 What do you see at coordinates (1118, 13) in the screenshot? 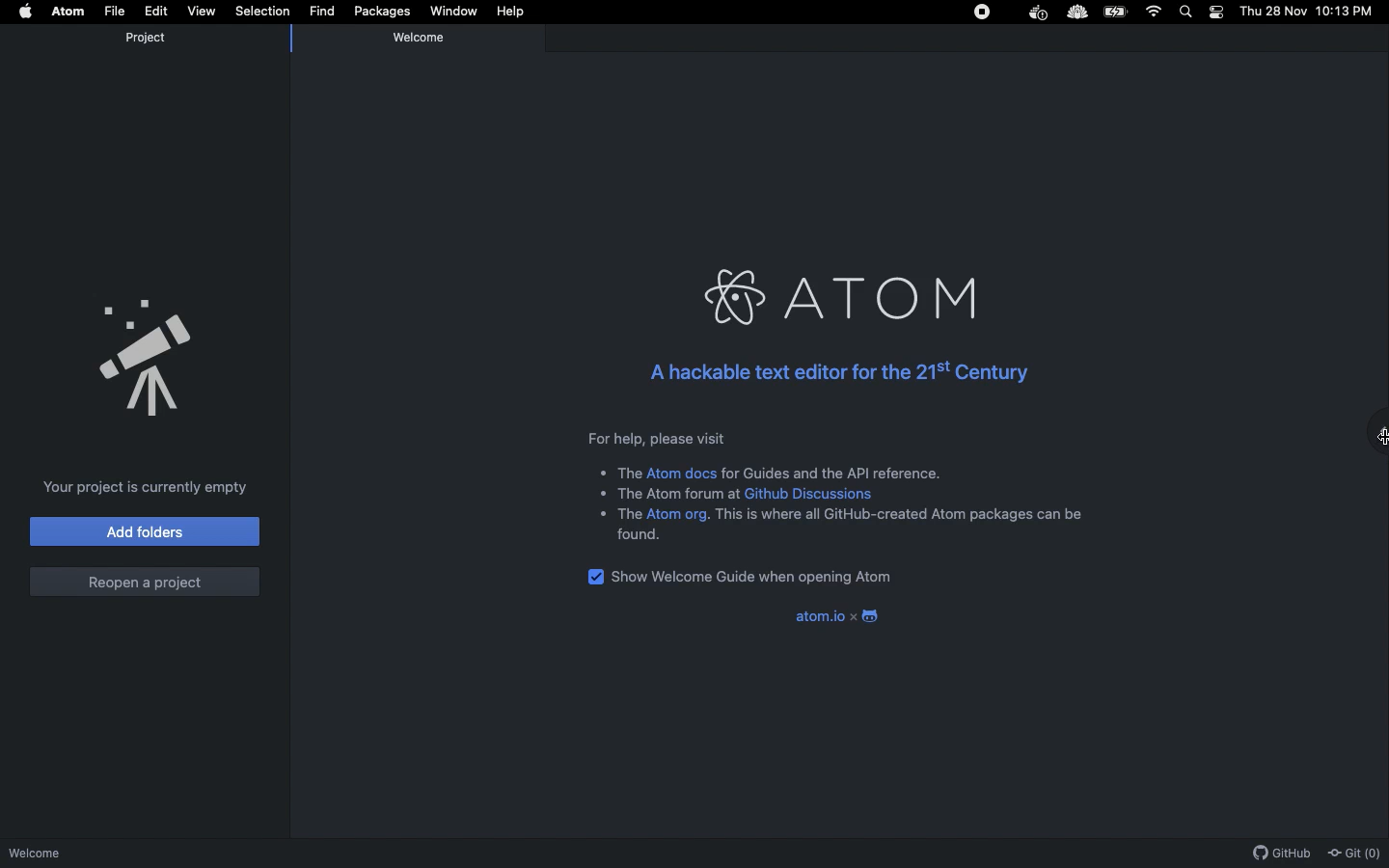
I see `Battery` at bounding box center [1118, 13].